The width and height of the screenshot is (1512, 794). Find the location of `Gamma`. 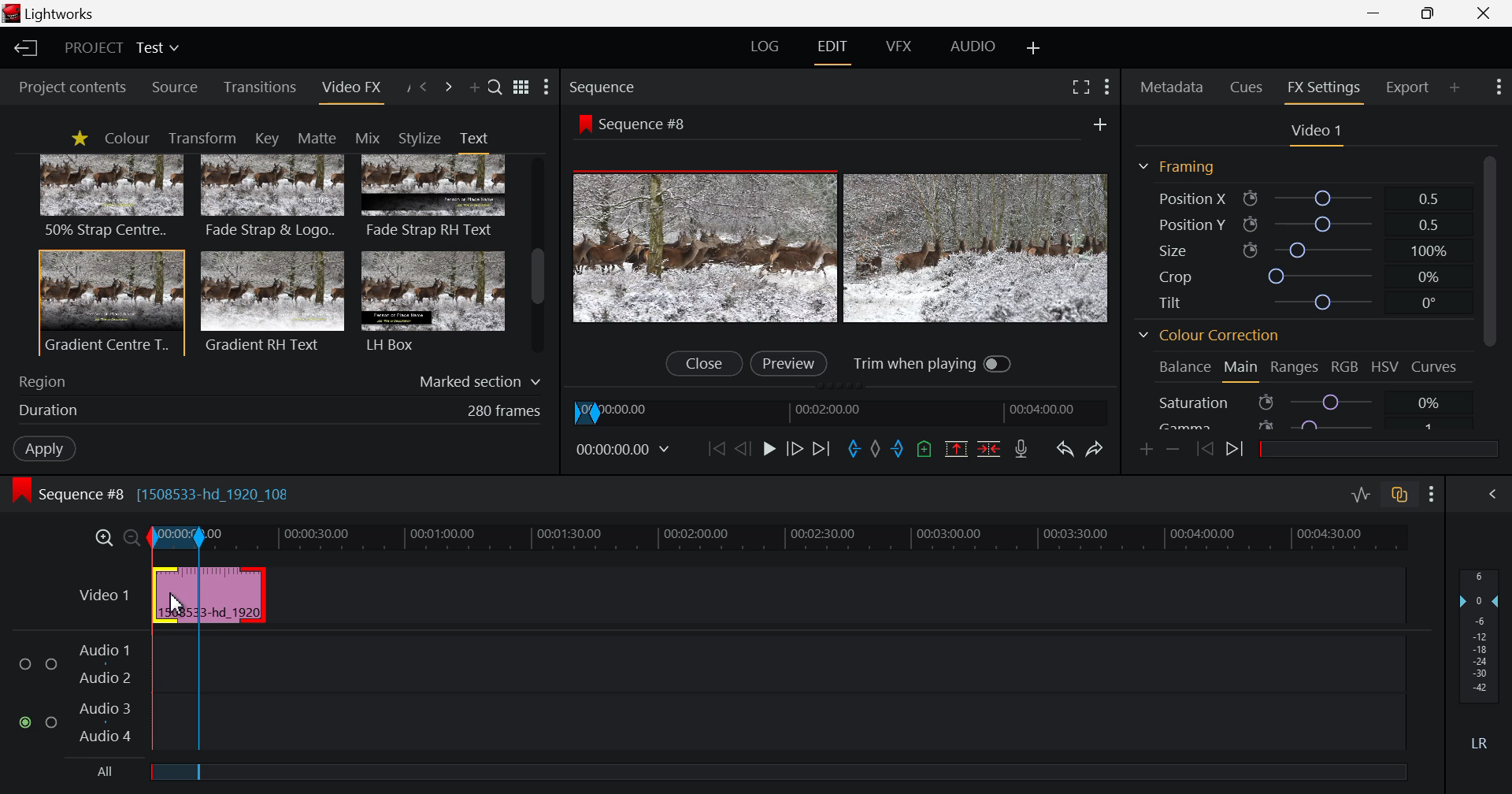

Gamma is located at coordinates (1298, 423).